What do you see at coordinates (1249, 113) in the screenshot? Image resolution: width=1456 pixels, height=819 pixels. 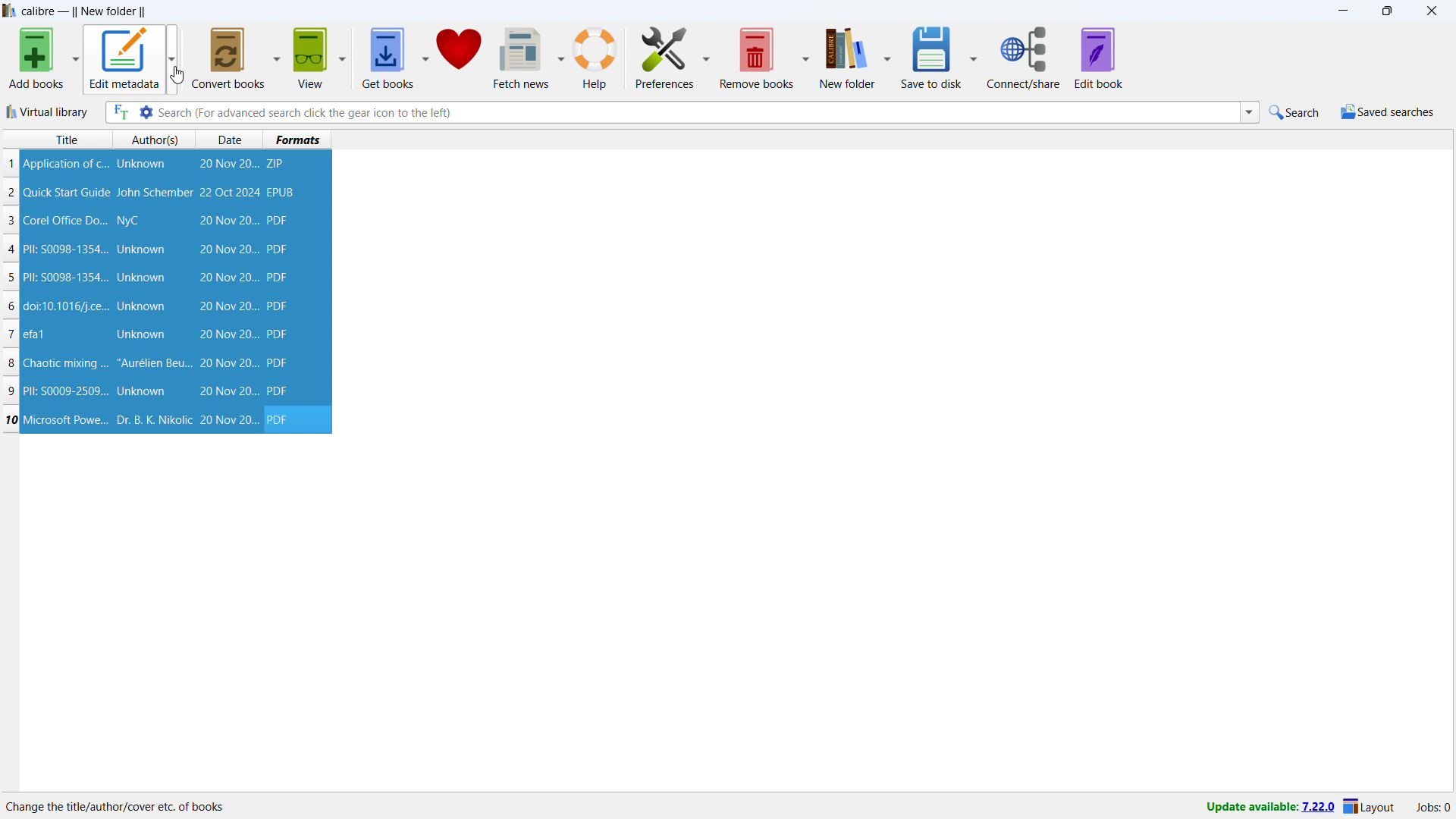 I see `search history` at bounding box center [1249, 113].